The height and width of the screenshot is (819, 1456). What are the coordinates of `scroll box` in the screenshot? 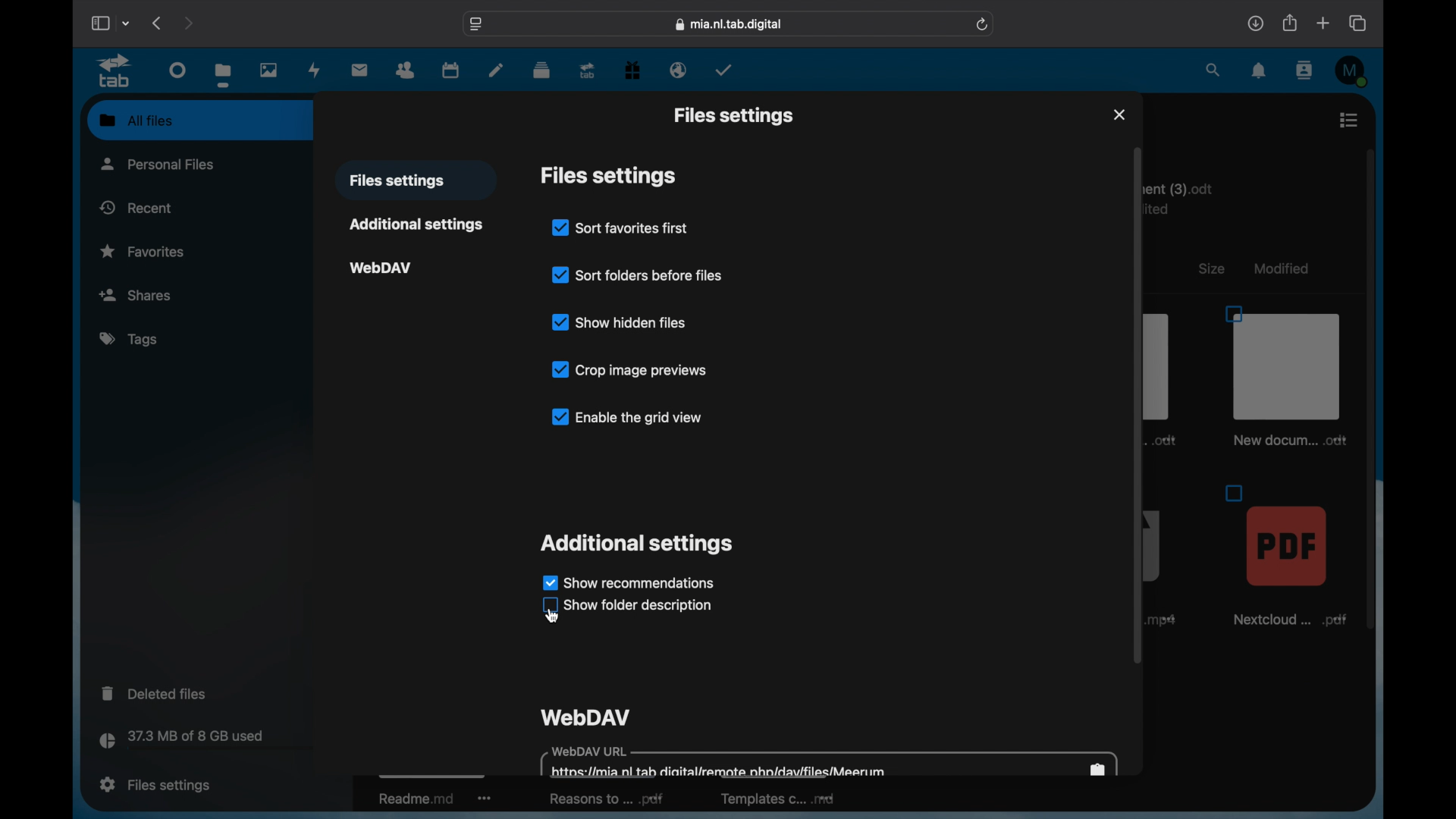 It's located at (1370, 347).